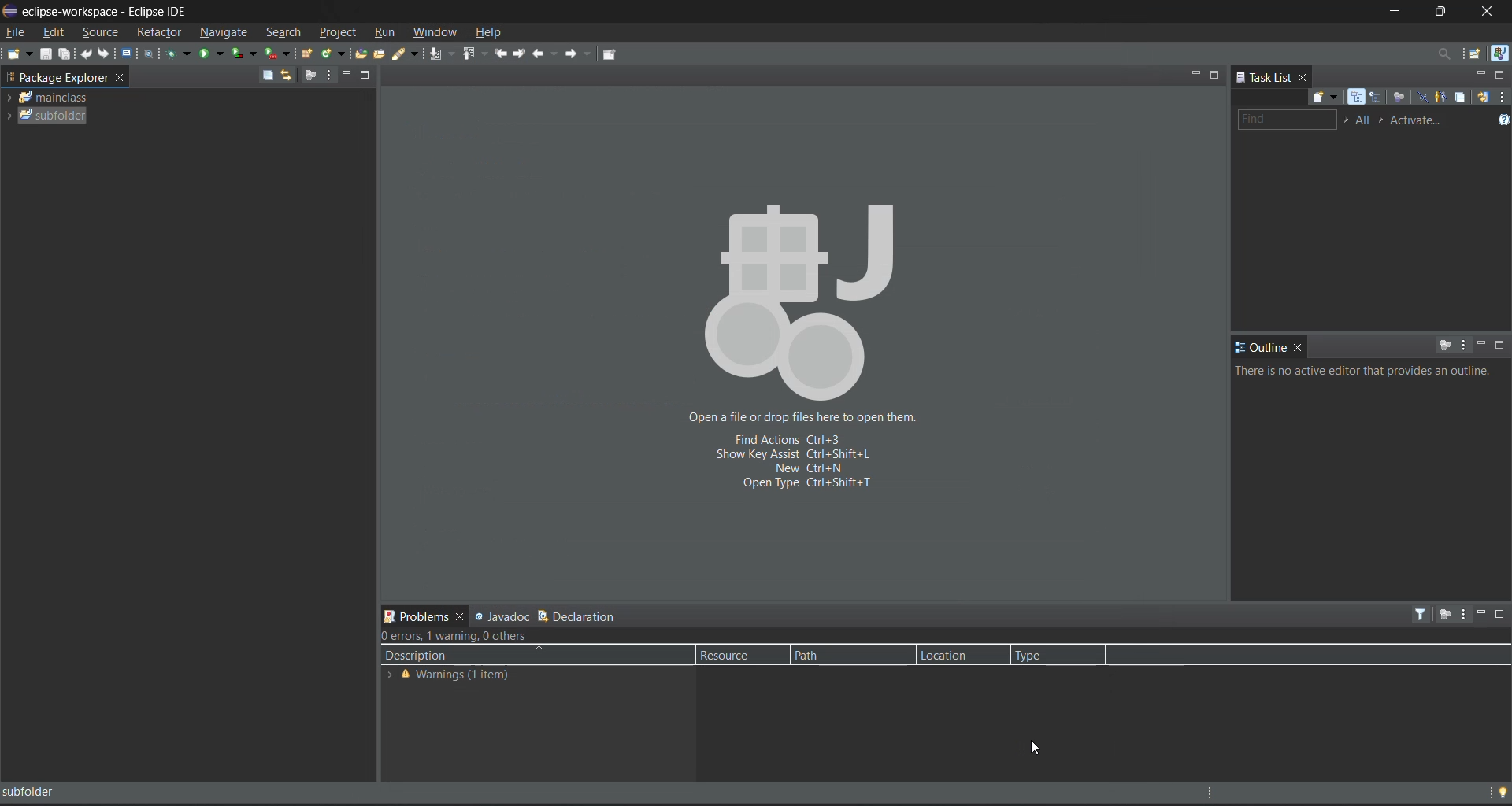 The height and width of the screenshot is (806, 1512). Describe the element at coordinates (476, 677) in the screenshot. I see `warnings (1 item)` at that location.